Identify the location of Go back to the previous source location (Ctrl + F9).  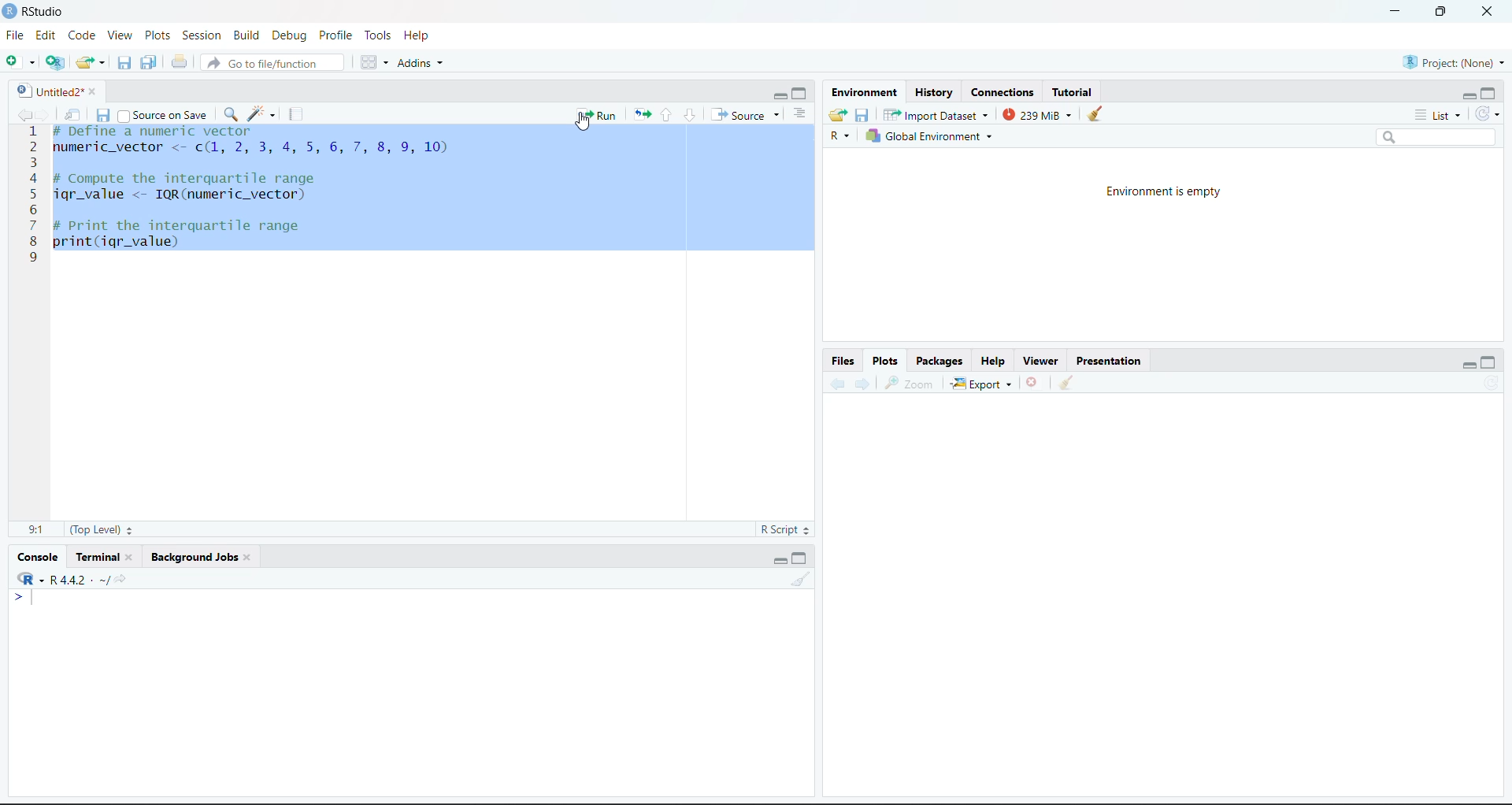
(832, 382).